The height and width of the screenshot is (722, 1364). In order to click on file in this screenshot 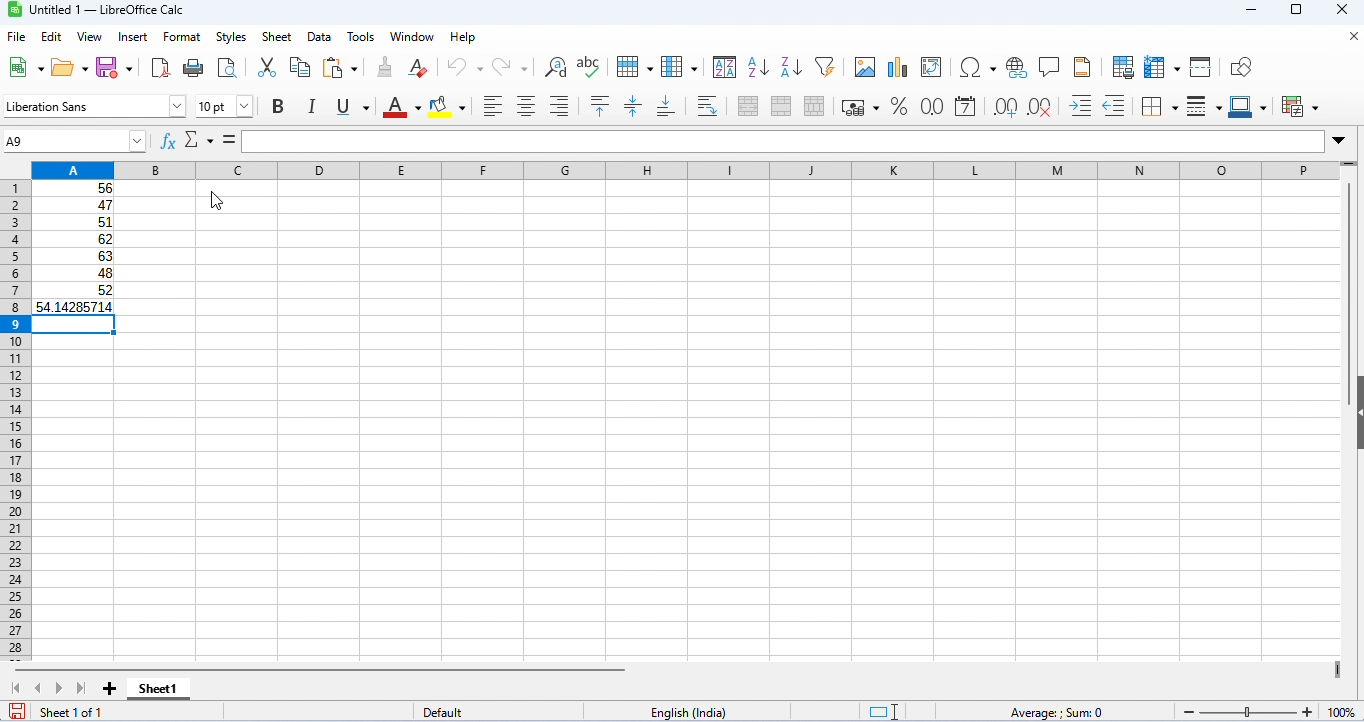, I will do `click(16, 37)`.